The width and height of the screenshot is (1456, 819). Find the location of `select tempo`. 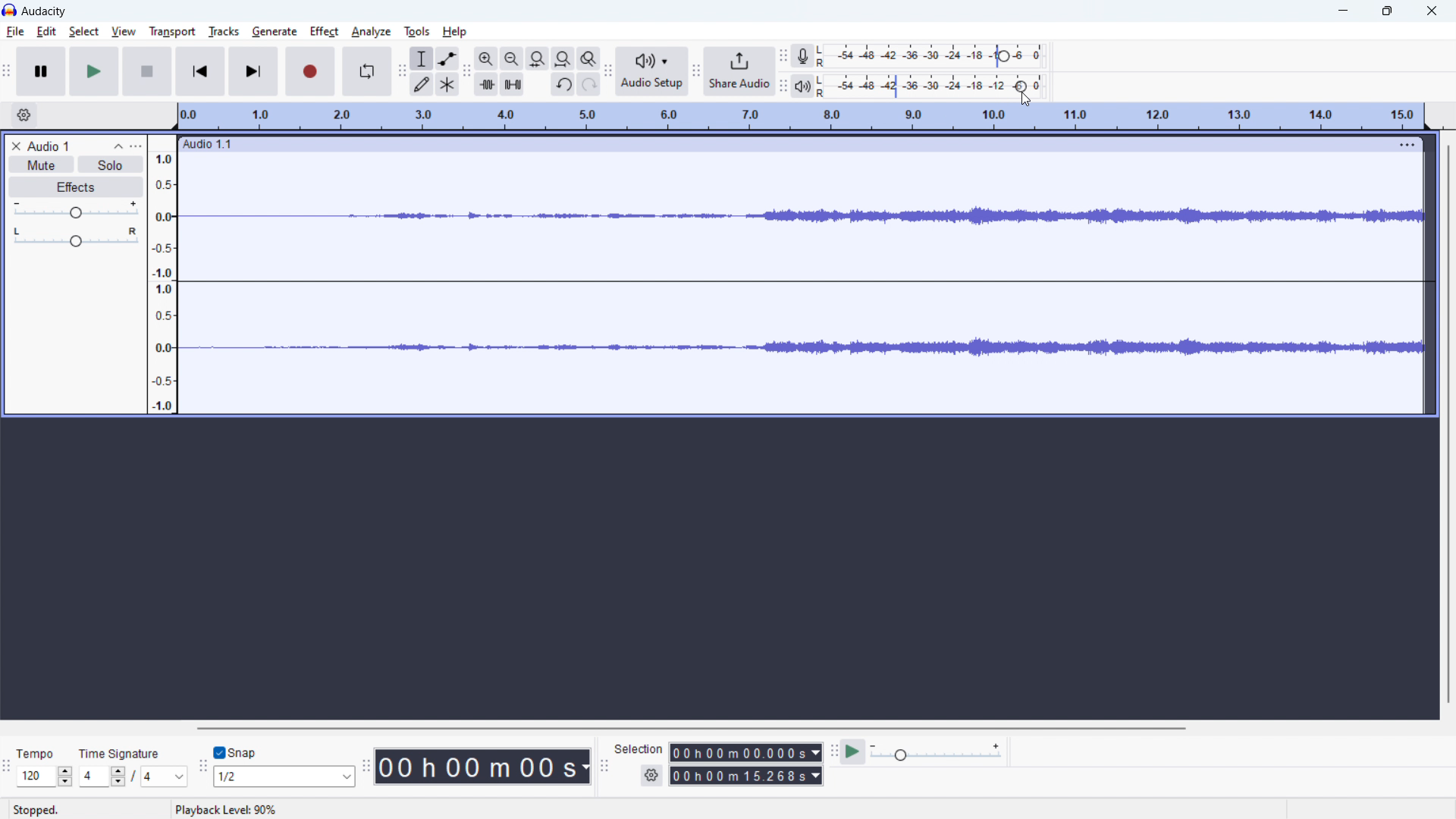

select tempo is located at coordinates (45, 777).